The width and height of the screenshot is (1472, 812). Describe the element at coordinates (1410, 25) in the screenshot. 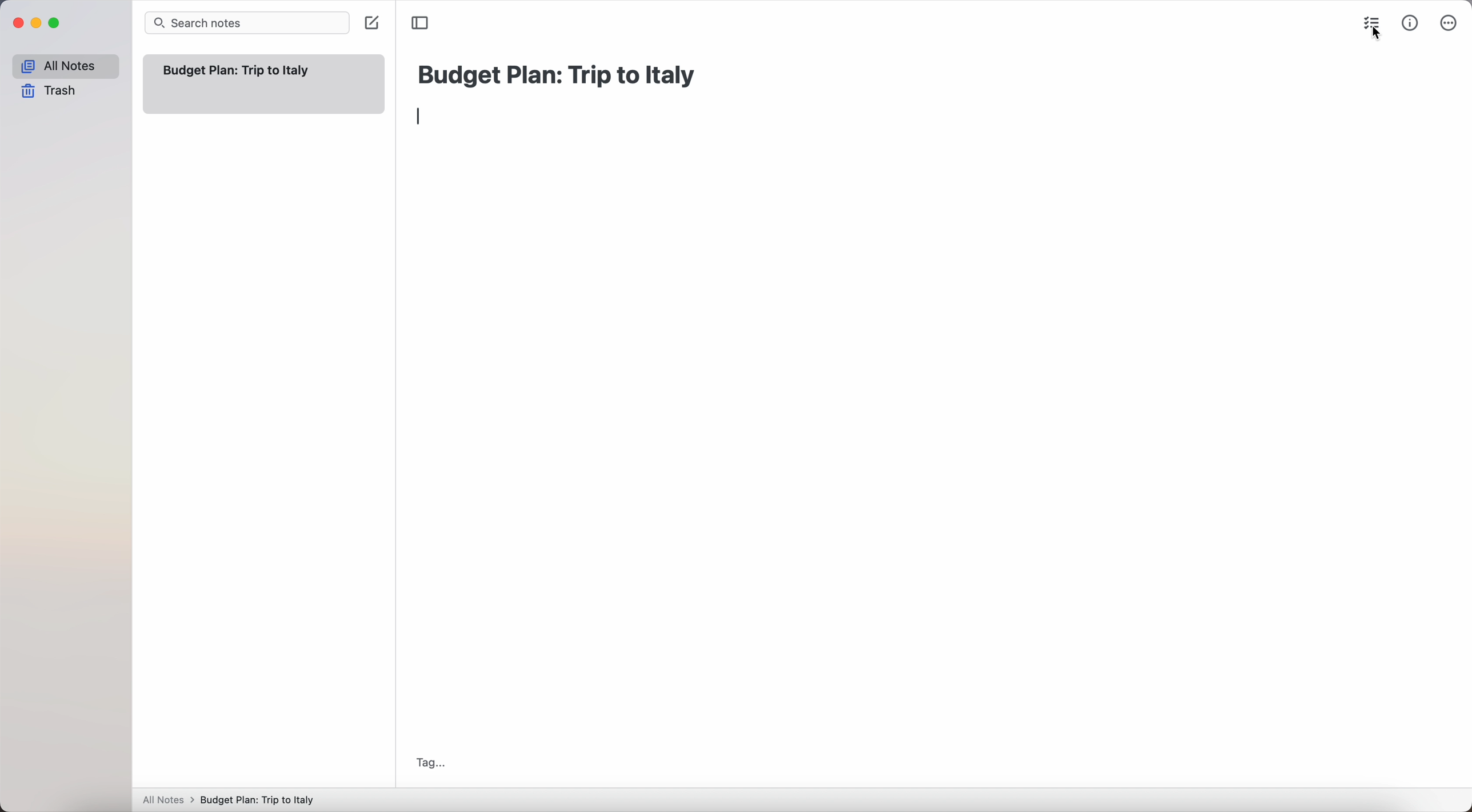

I see `metrics` at that location.